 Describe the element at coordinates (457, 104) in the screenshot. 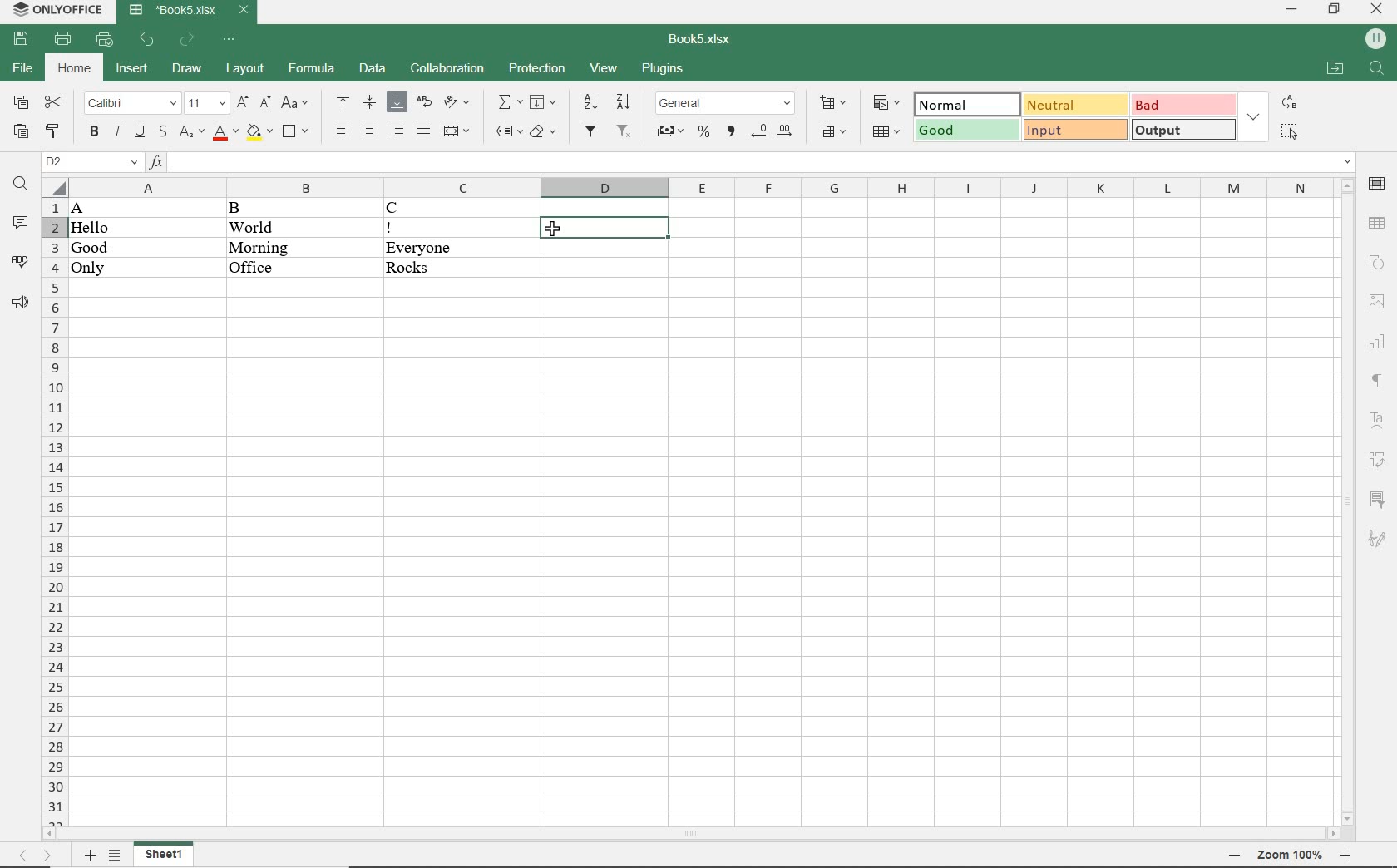

I see `orientation` at that location.